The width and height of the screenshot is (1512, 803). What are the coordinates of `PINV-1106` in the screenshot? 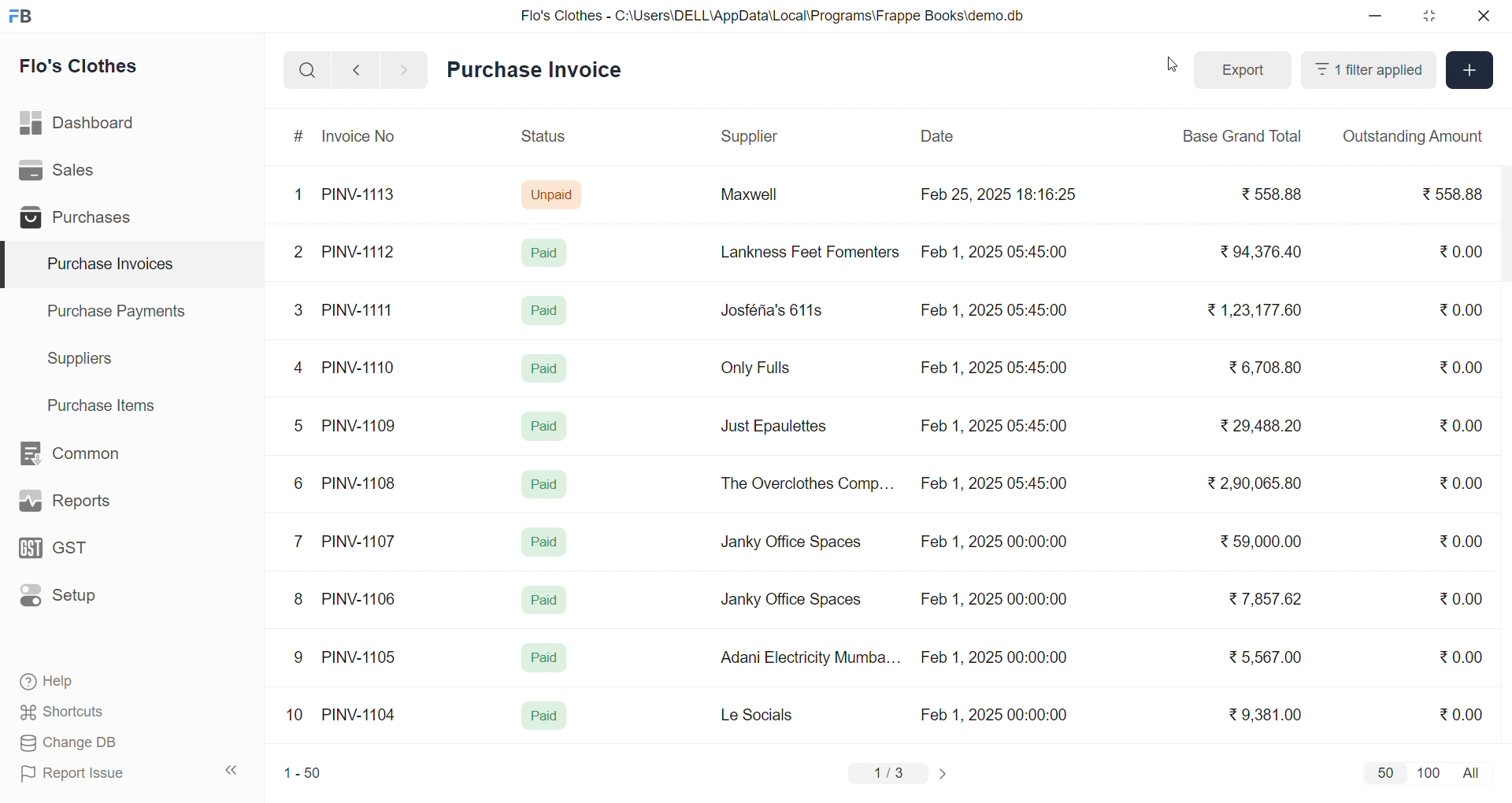 It's located at (365, 599).